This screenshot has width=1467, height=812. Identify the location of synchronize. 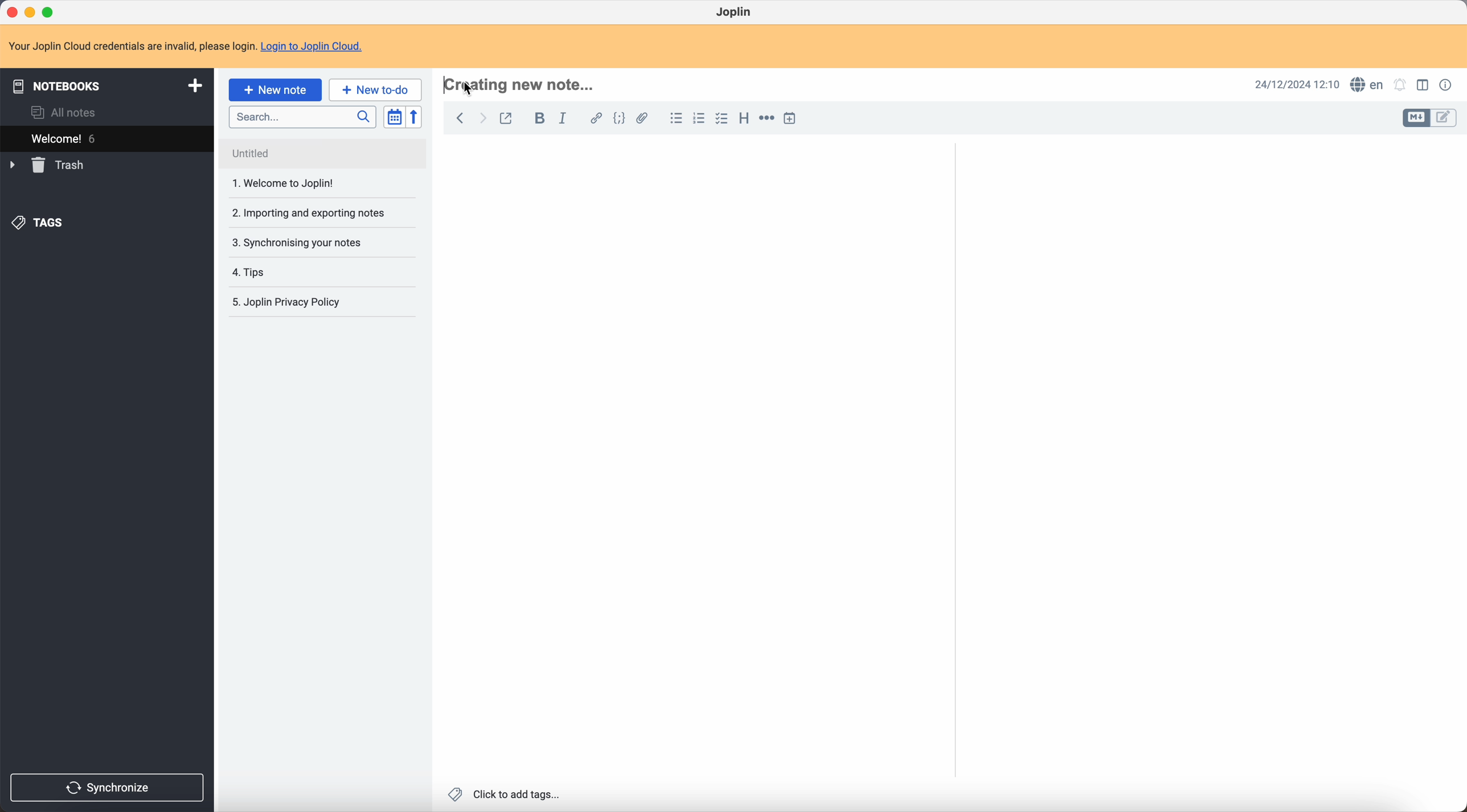
(108, 788).